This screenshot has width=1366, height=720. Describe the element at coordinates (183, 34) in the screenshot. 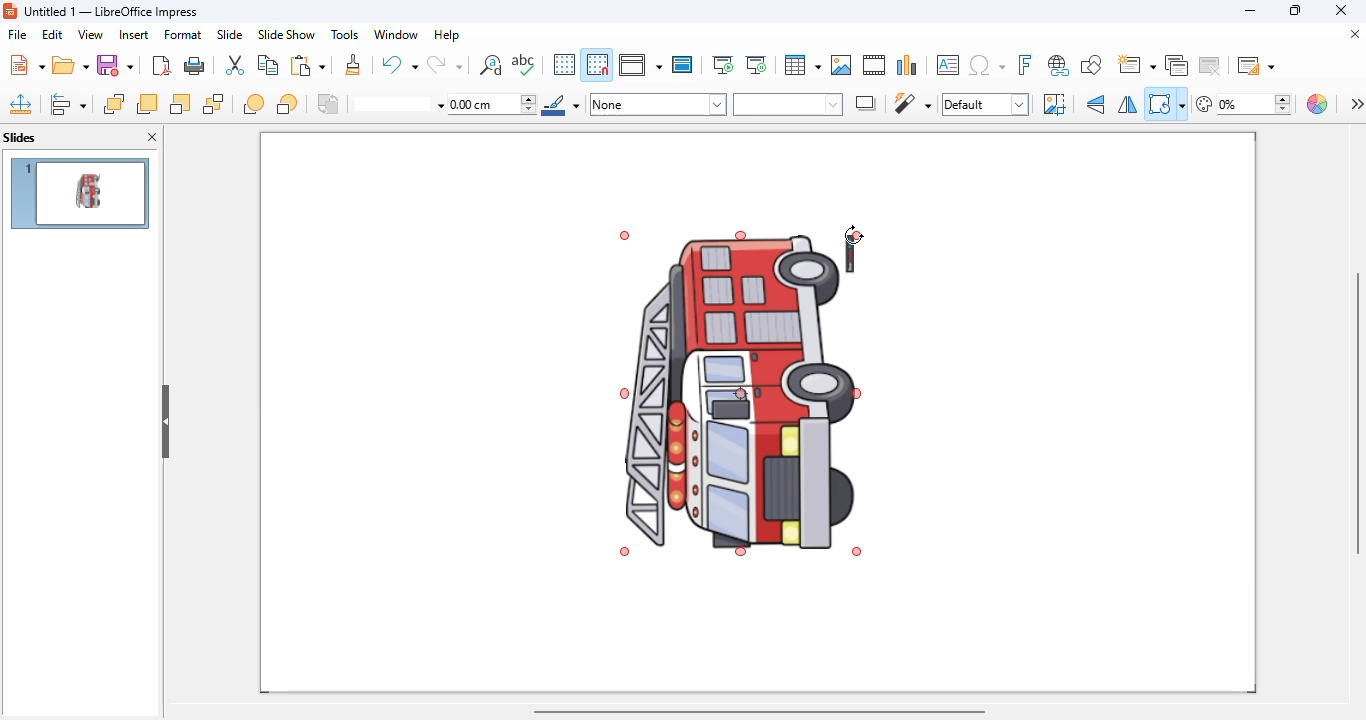

I see `format` at that location.